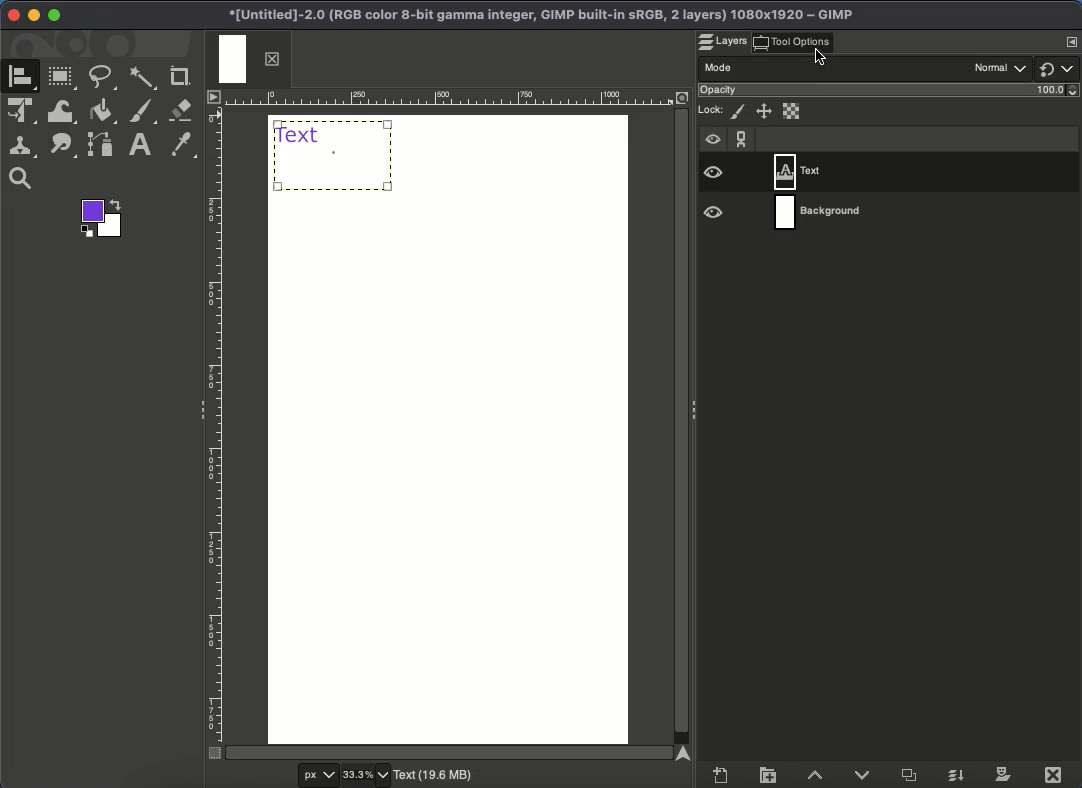 This screenshot has height=788, width=1082. Describe the element at coordinates (13, 15) in the screenshot. I see `Close` at that location.